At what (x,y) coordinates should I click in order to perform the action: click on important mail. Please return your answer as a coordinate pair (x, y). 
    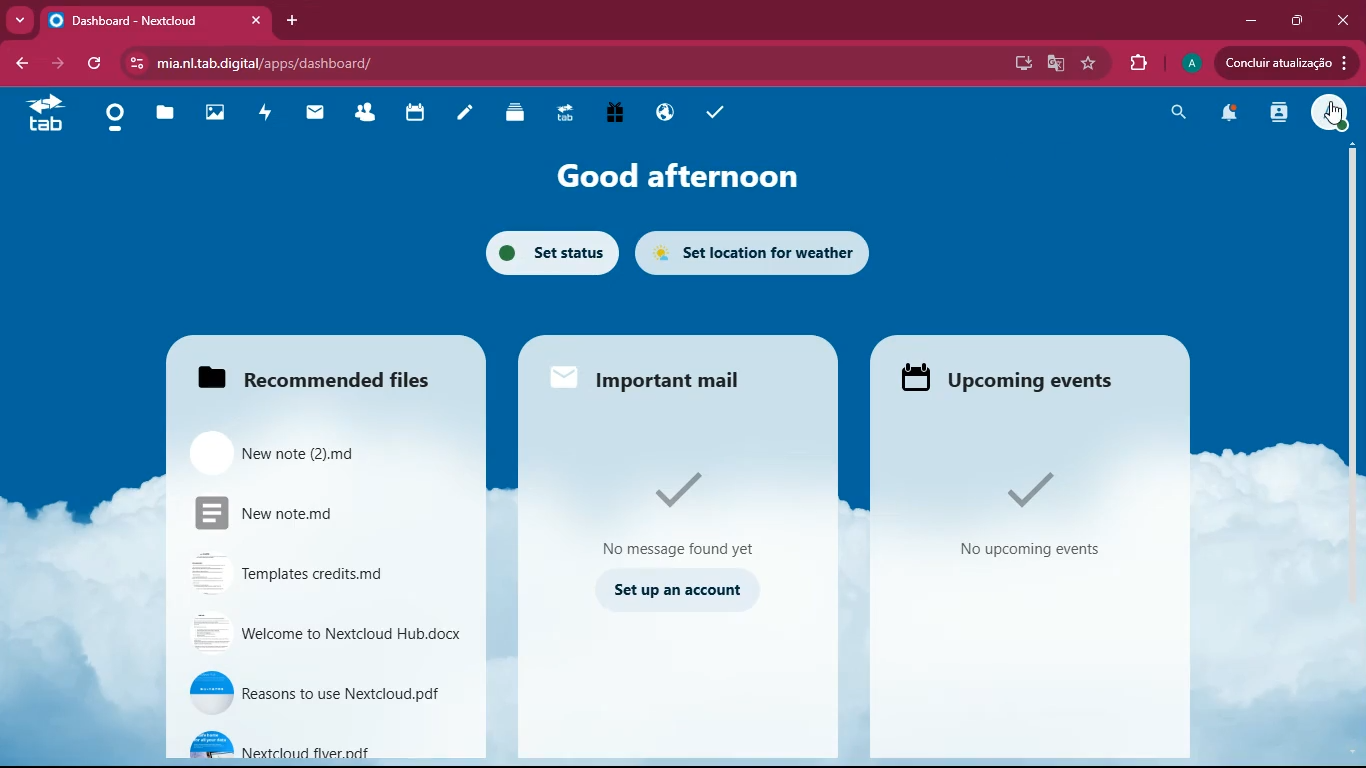
    Looking at the image, I should click on (674, 376).